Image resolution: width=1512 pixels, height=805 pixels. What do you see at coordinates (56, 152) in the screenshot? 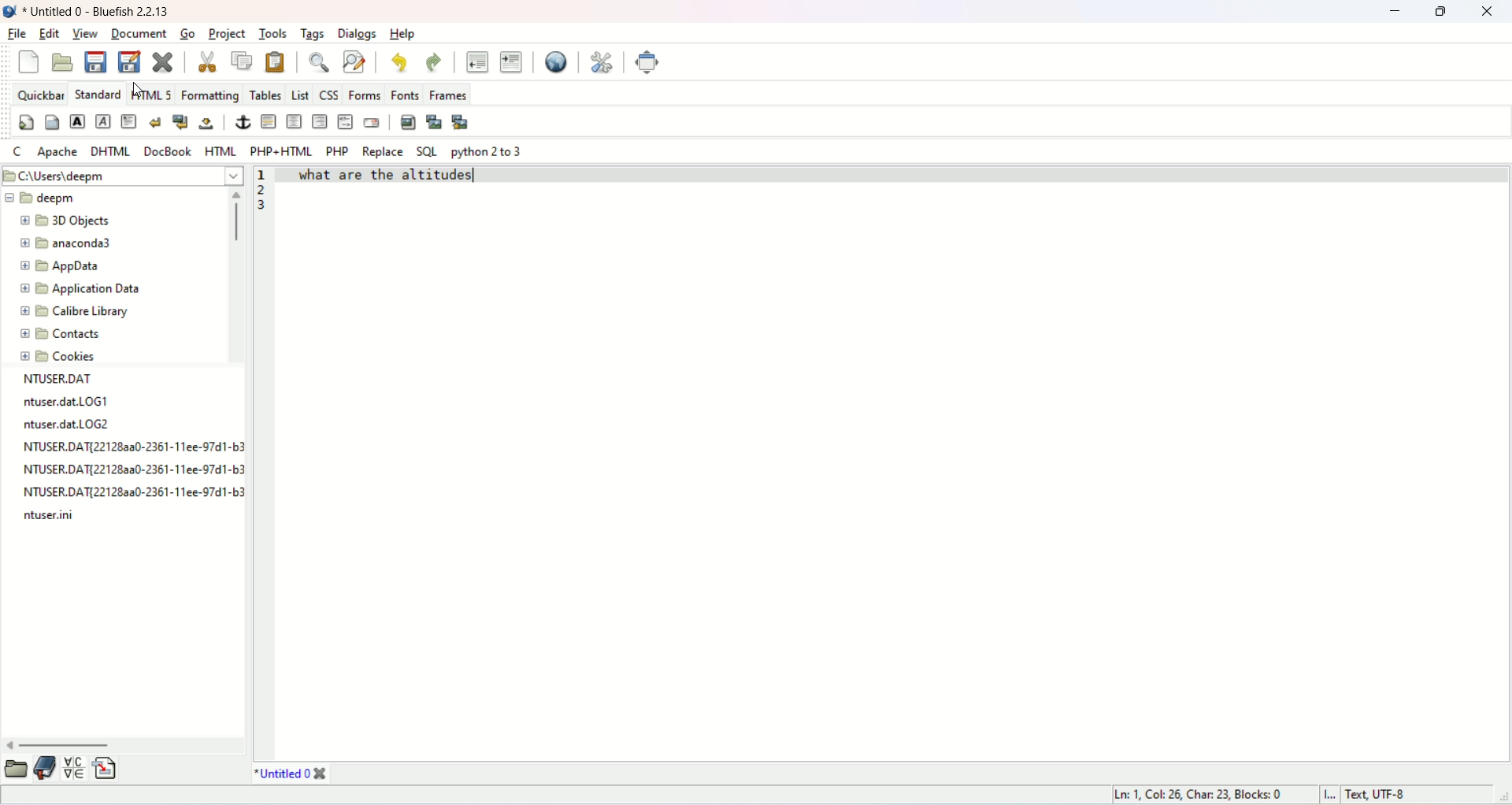
I see `Apache` at bounding box center [56, 152].